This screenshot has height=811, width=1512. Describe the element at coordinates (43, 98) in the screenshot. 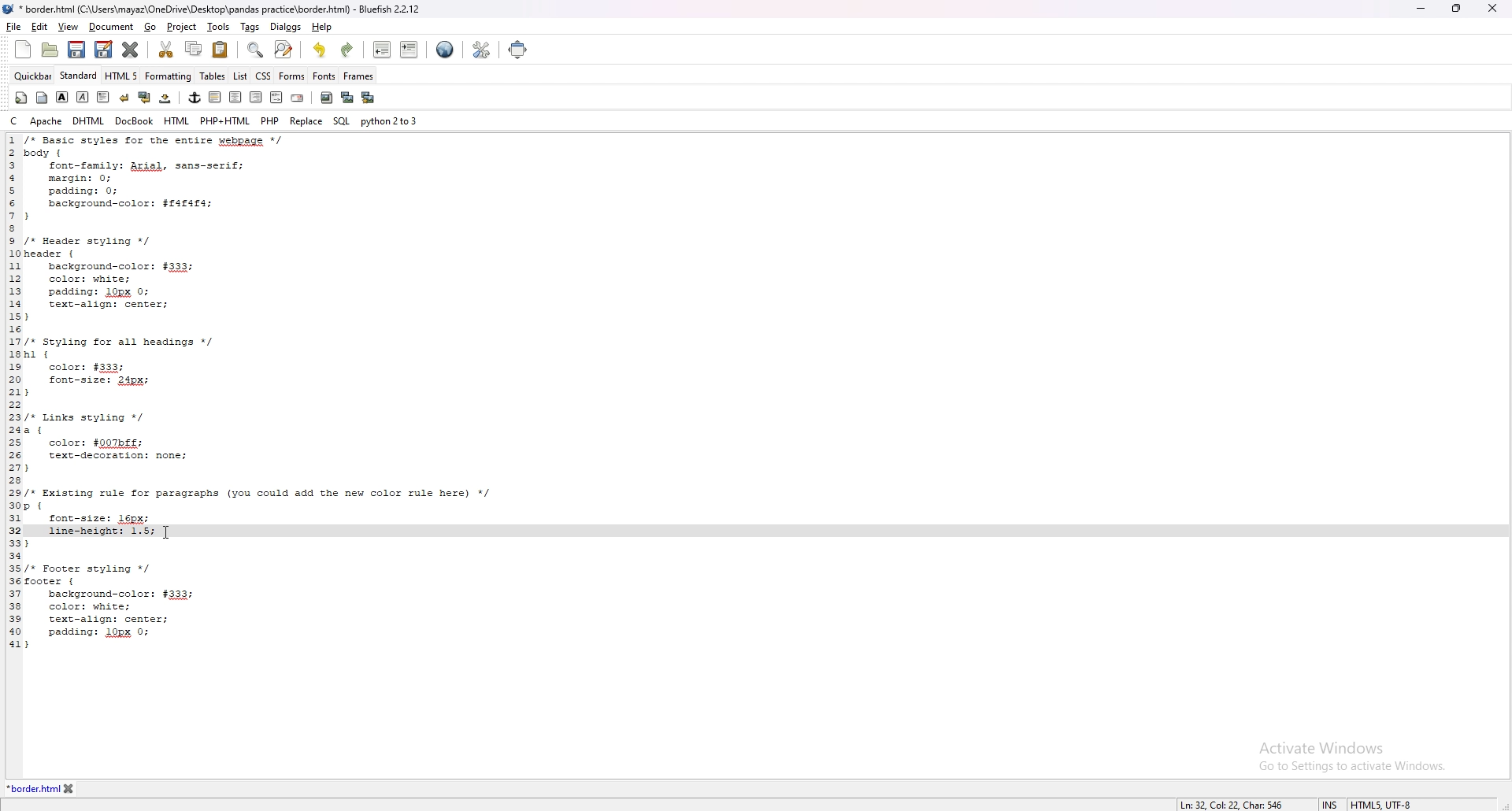

I see `body` at that location.